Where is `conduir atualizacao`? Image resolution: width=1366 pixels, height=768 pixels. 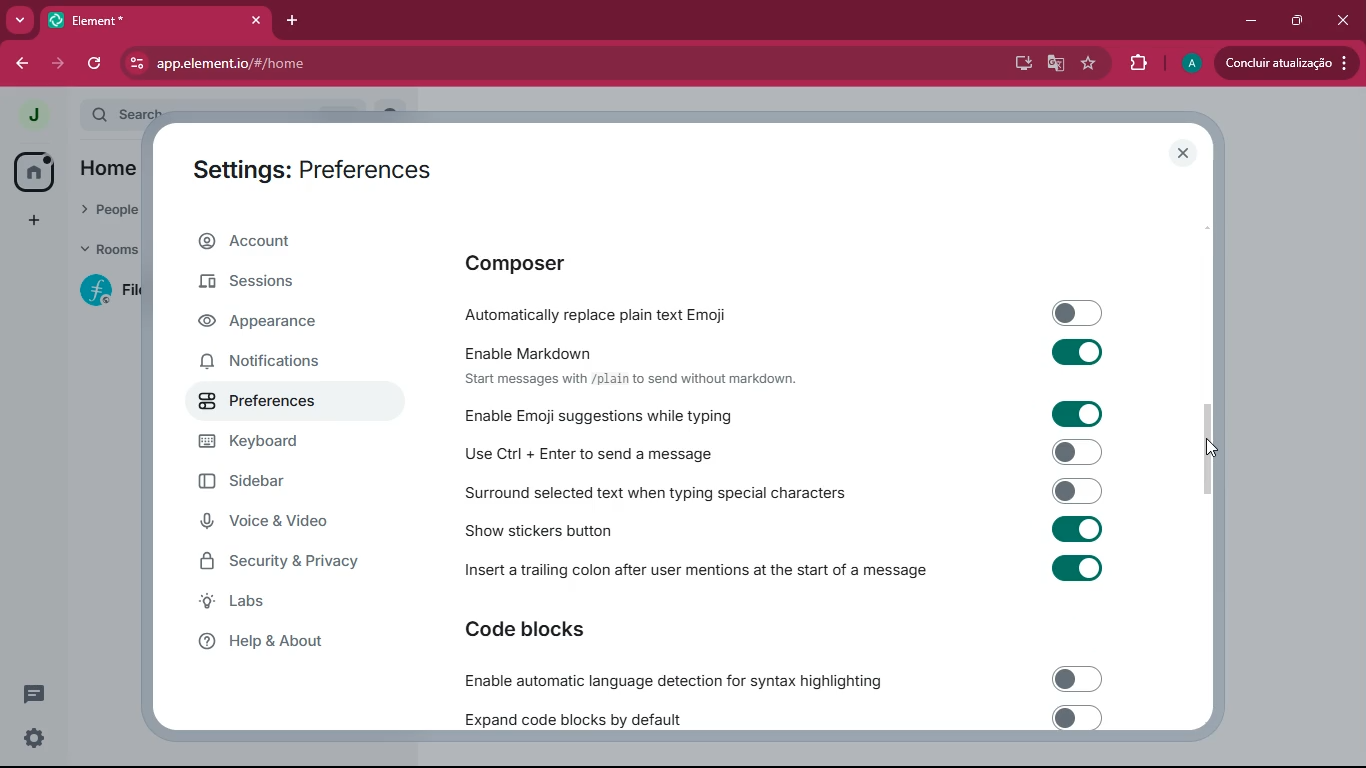 conduir atualizacao is located at coordinates (1283, 64).